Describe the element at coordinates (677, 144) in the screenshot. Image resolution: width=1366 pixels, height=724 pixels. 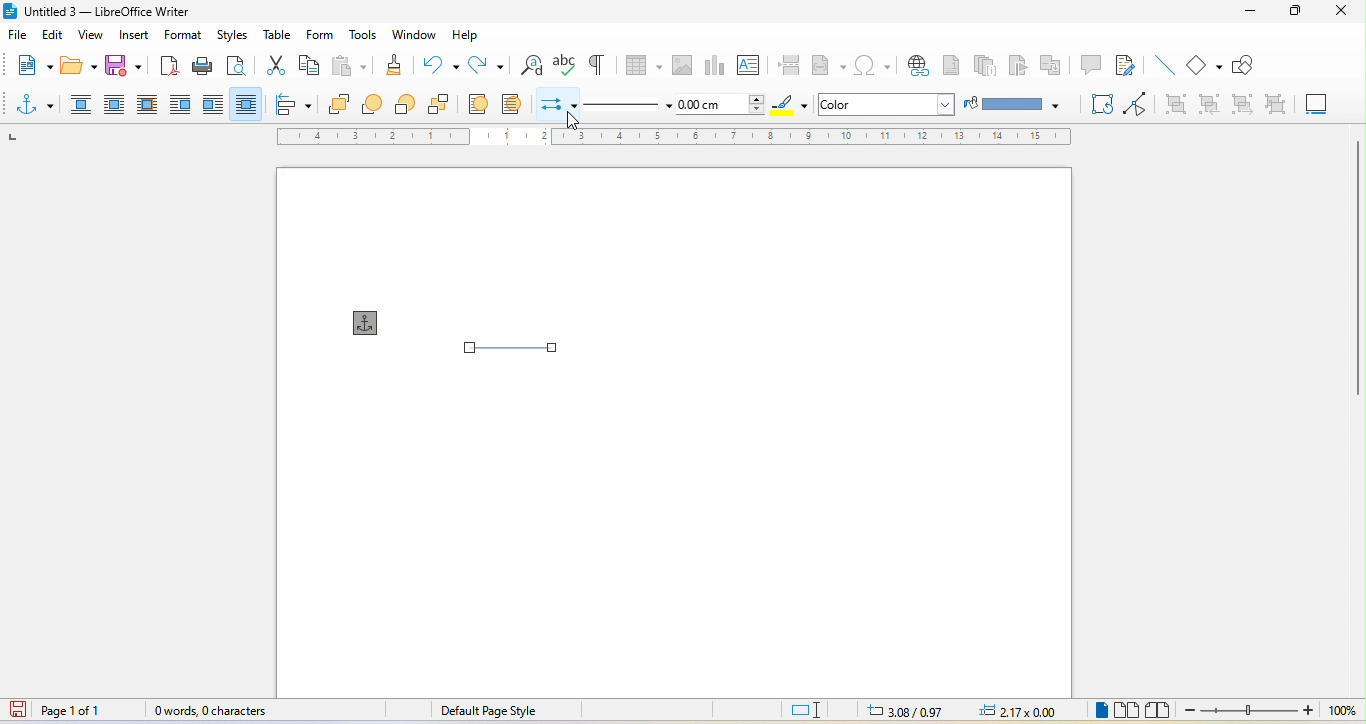
I see `ruler` at that location.